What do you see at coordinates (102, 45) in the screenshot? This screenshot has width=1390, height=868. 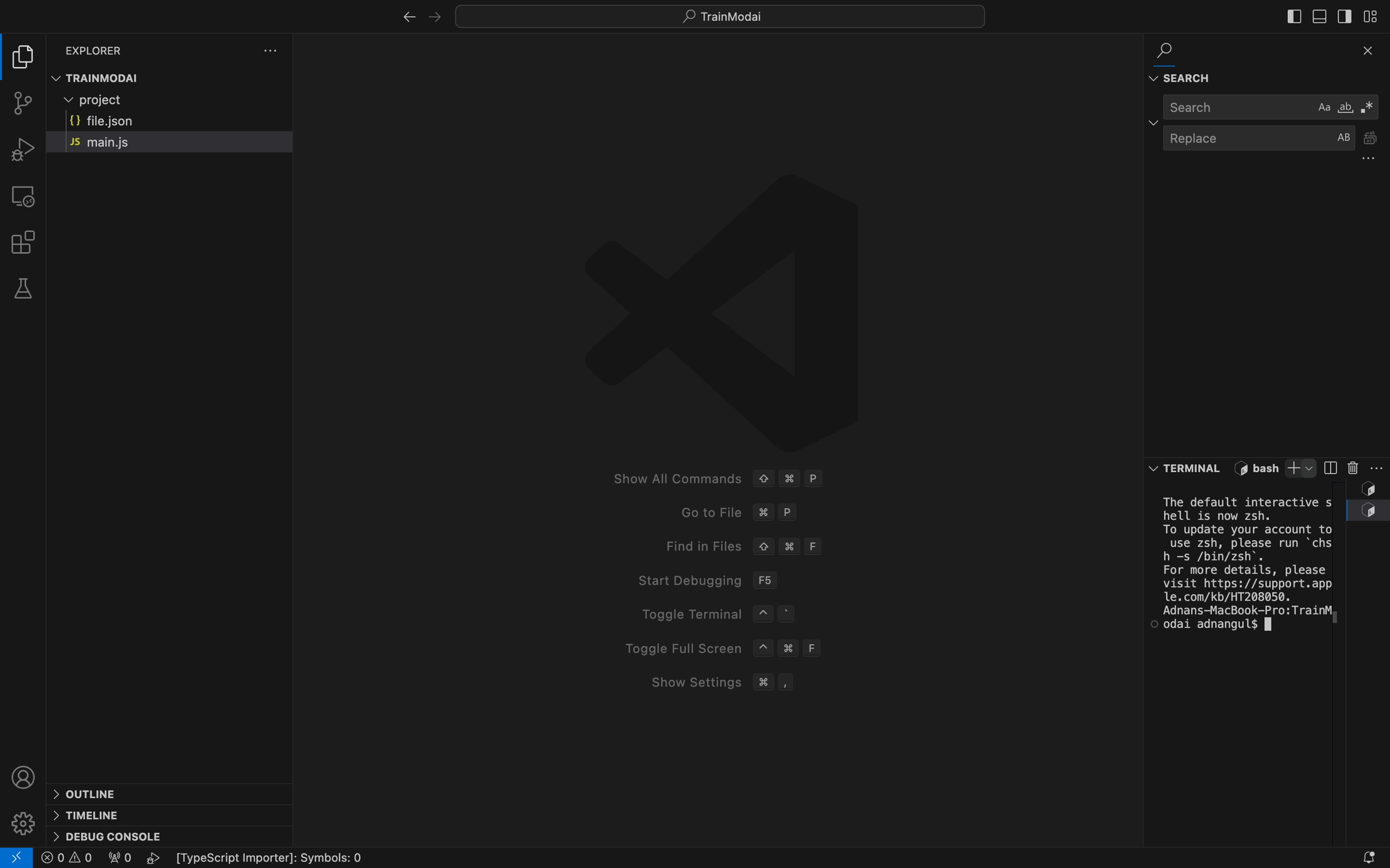 I see `EXPLORER` at bounding box center [102, 45].